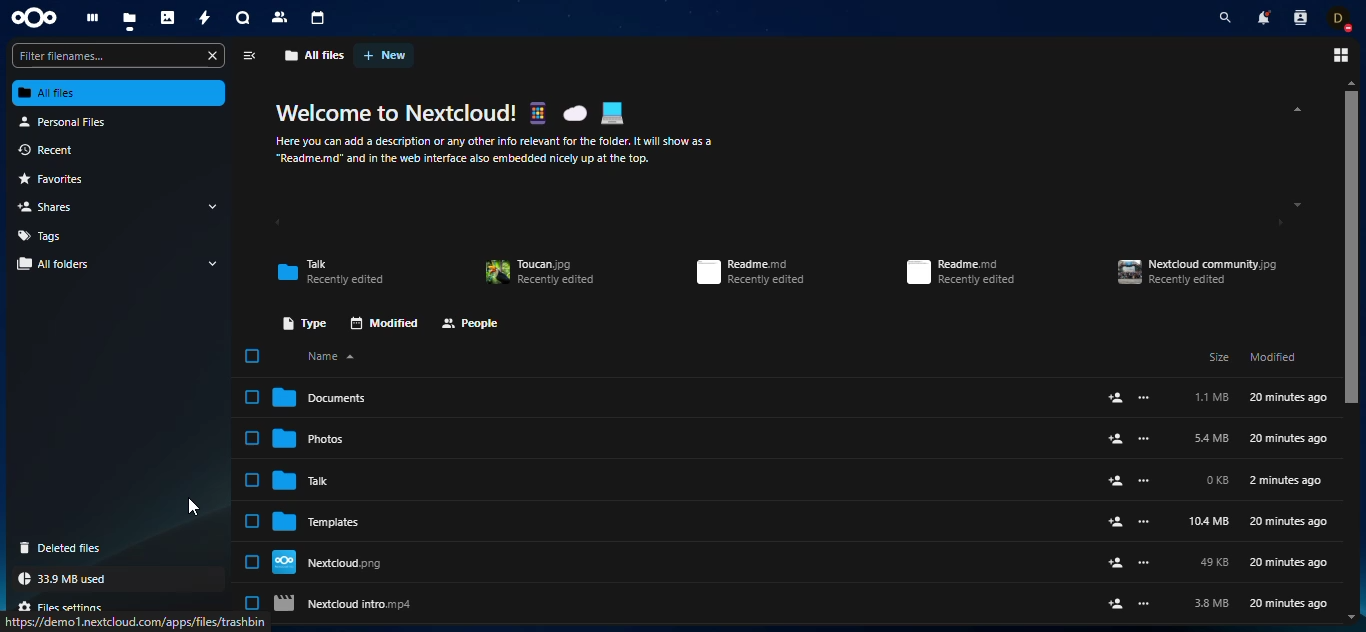 This screenshot has height=632, width=1366. Describe the element at coordinates (1288, 522) in the screenshot. I see `20 minutes ago` at that location.